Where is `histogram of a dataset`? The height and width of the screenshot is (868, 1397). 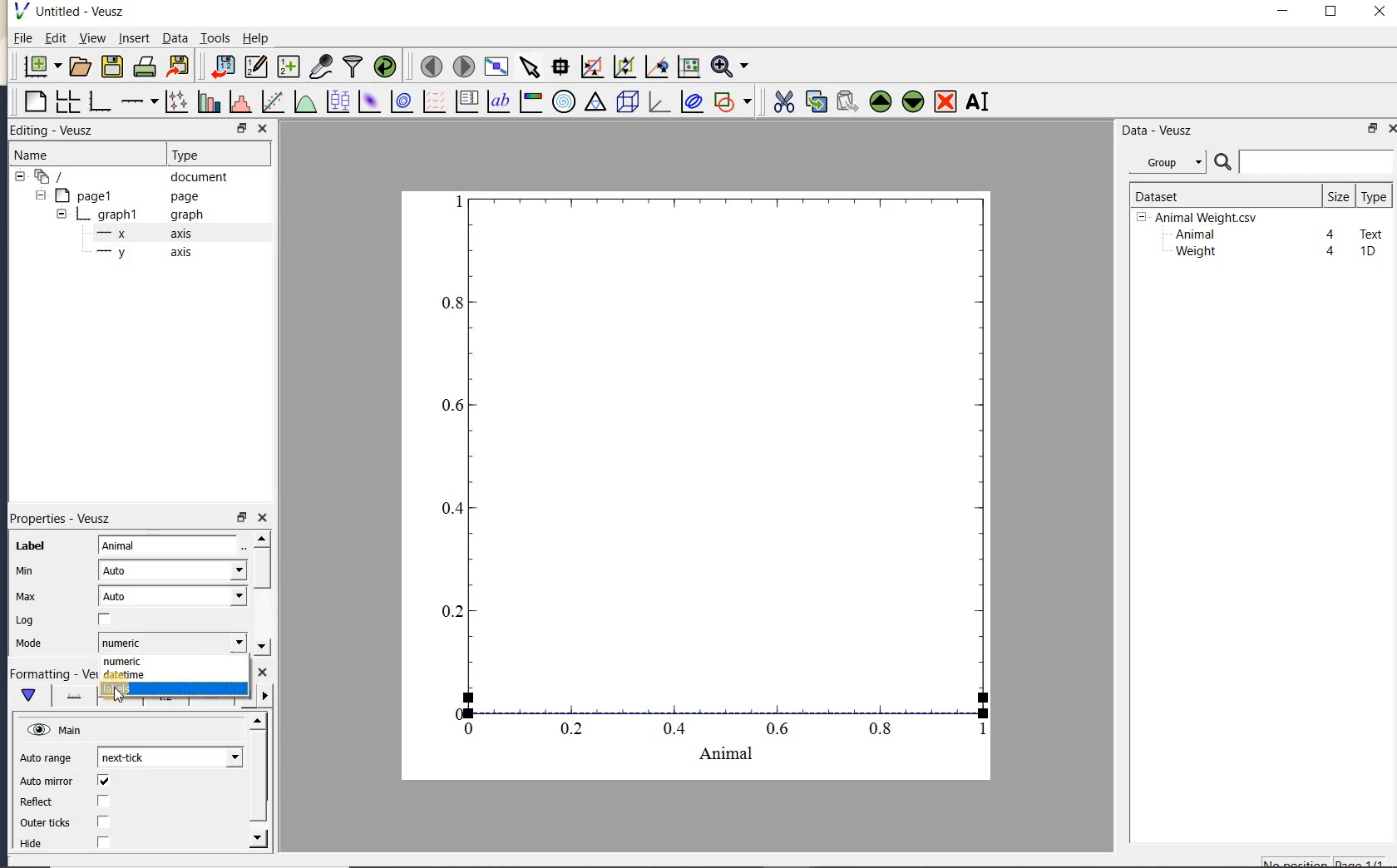
histogram of a dataset is located at coordinates (239, 101).